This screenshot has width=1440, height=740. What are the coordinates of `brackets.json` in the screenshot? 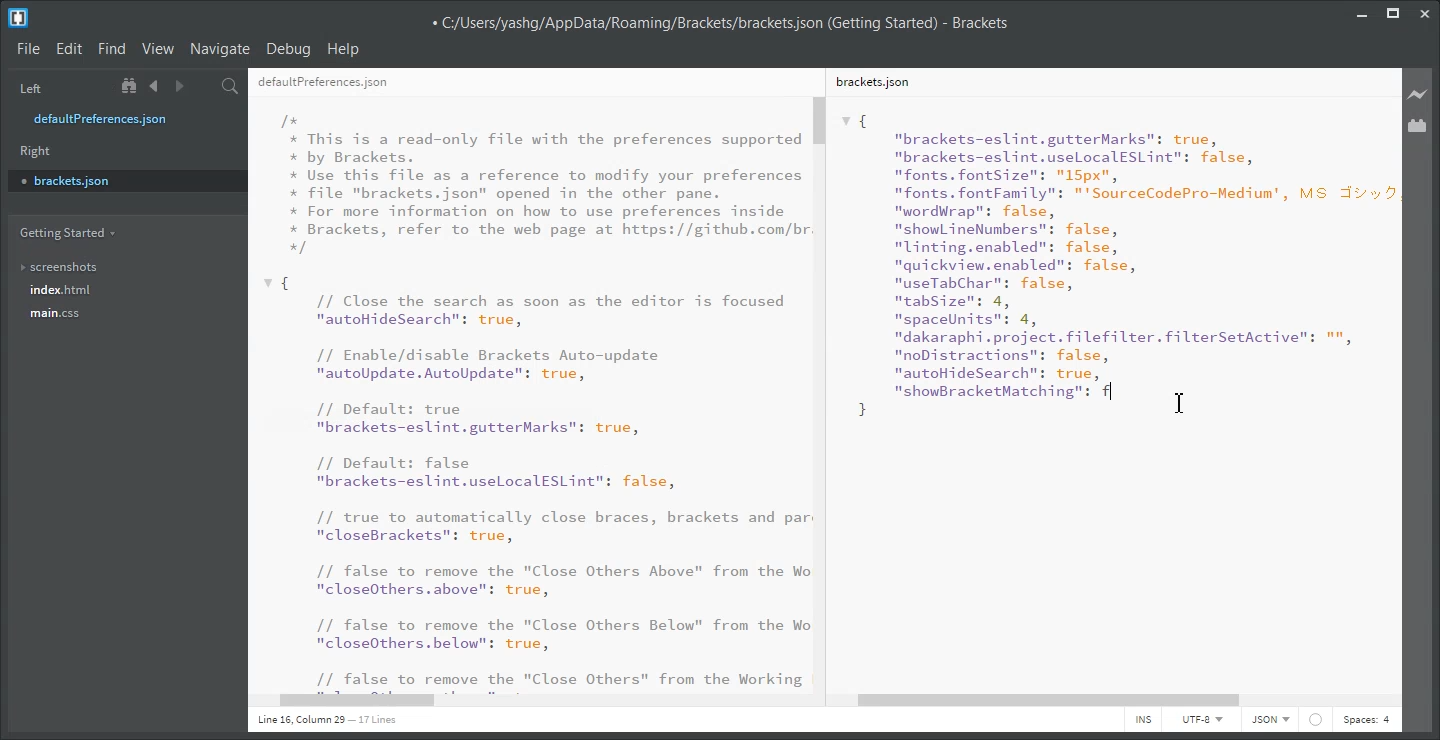 It's located at (125, 180).